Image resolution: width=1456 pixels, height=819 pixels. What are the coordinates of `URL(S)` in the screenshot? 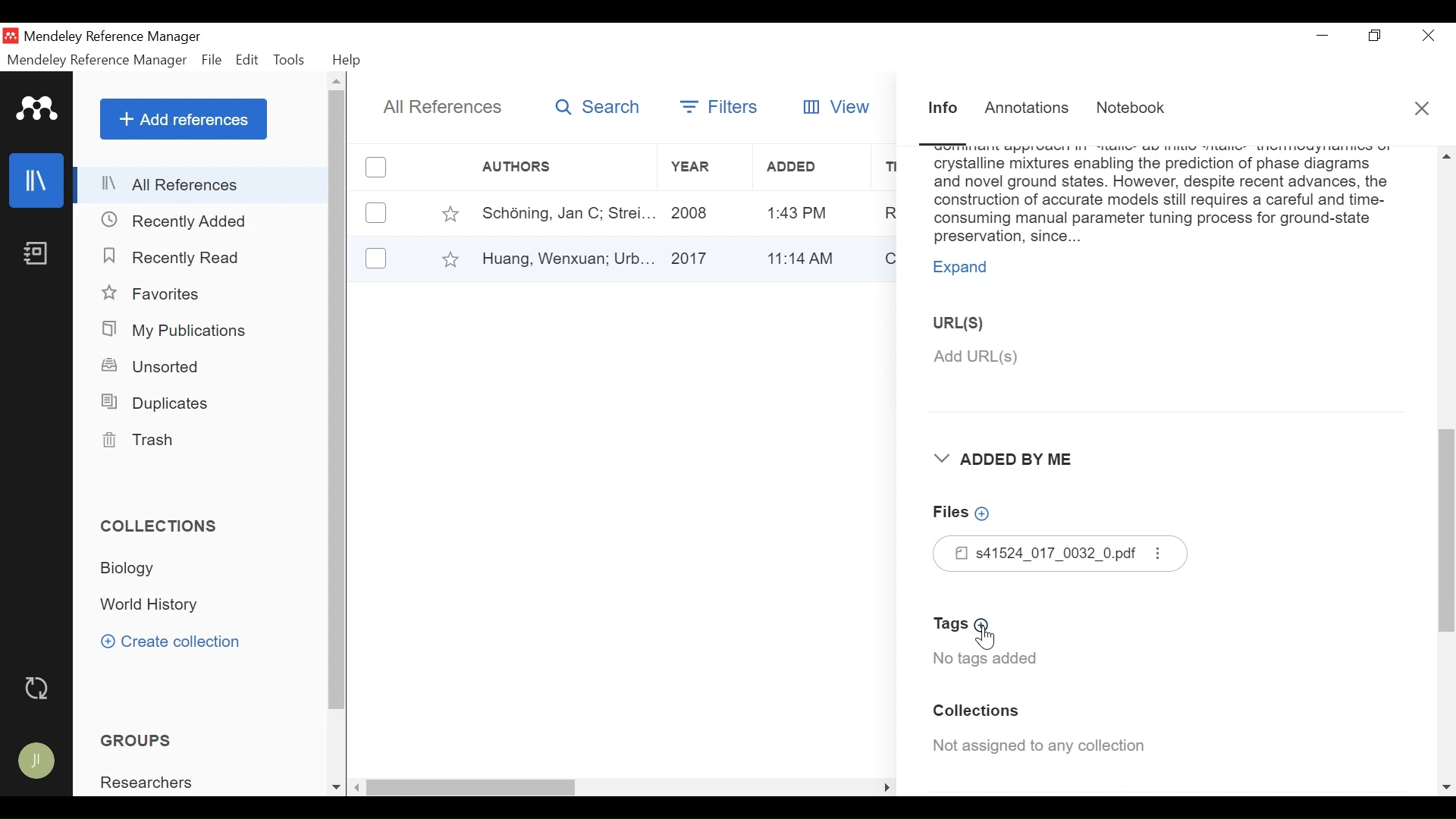 It's located at (971, 322).